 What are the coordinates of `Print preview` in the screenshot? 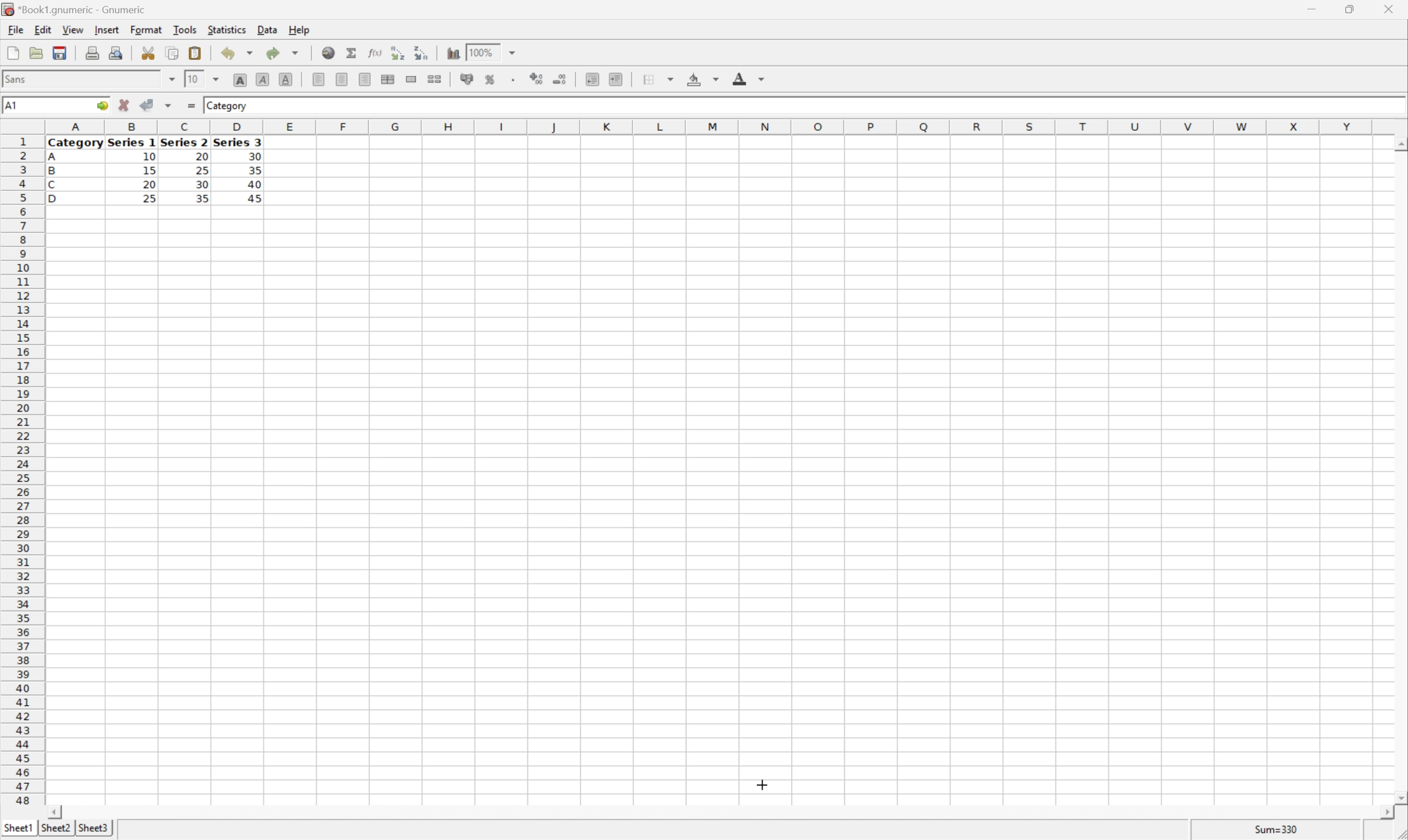 It's located at (117, 53).